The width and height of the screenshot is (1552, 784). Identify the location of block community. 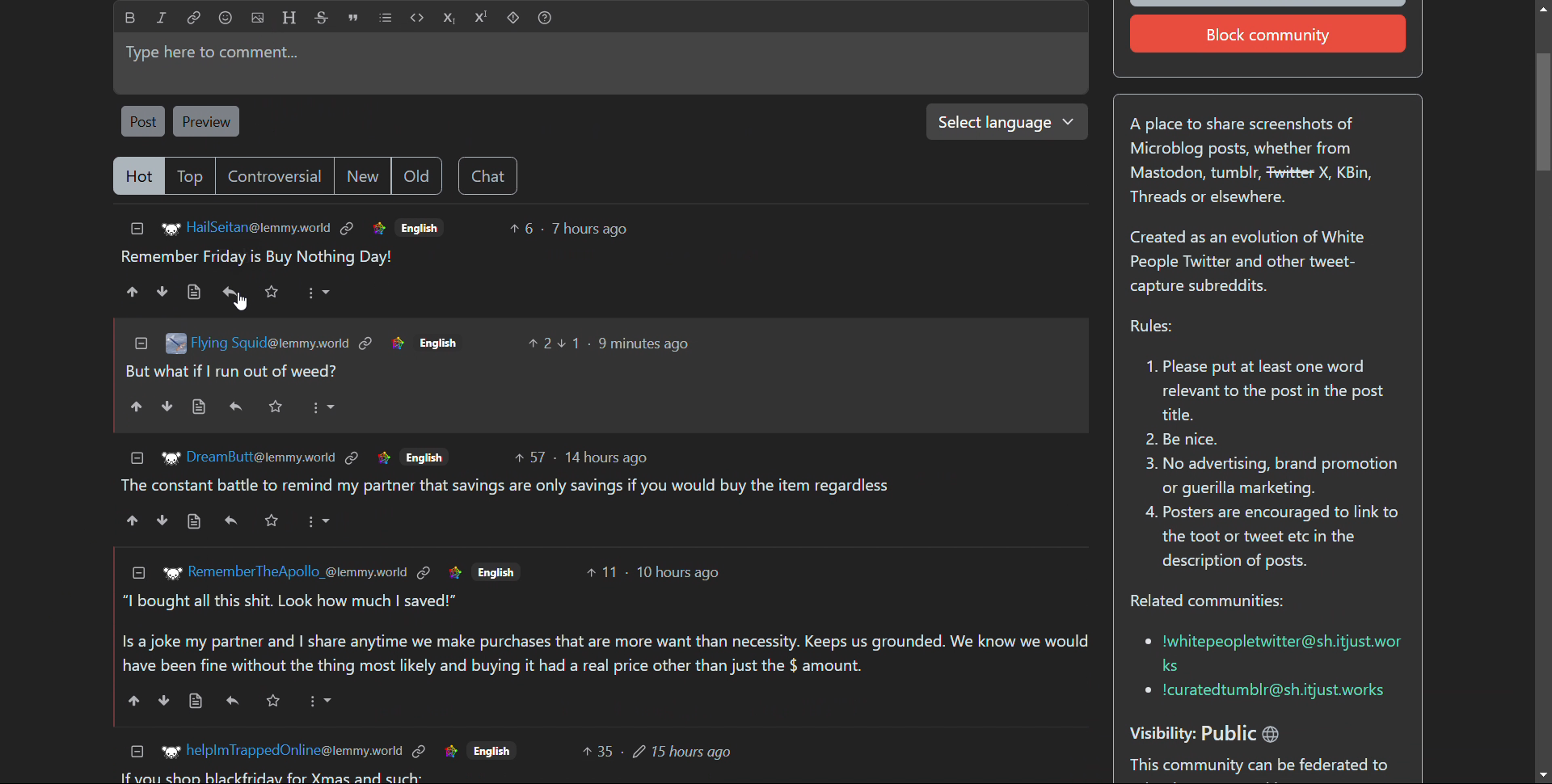
(1269, 34).